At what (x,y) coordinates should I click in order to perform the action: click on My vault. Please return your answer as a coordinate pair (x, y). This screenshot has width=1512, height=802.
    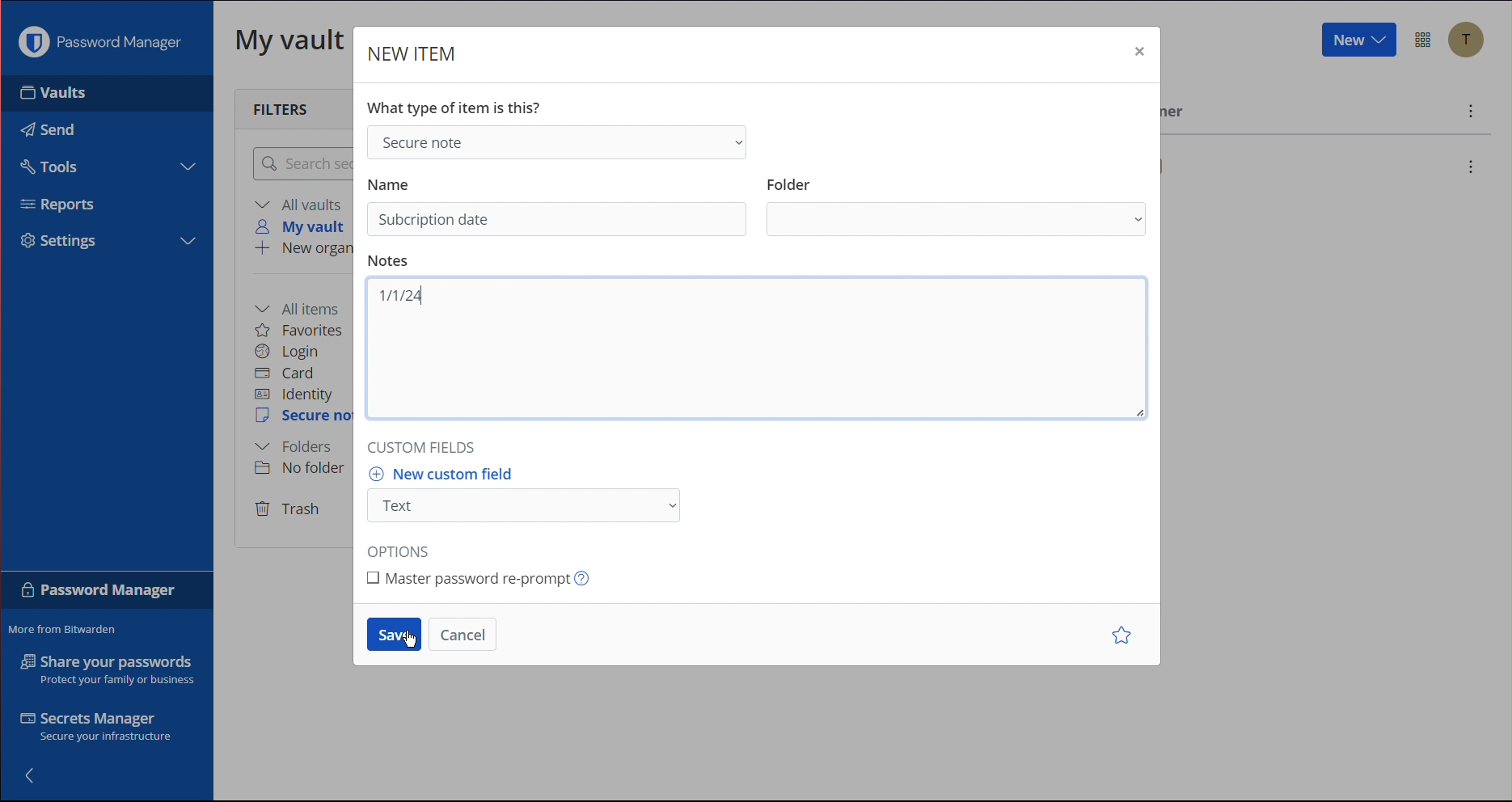
    Looking at the image, I should click on (305, 226).